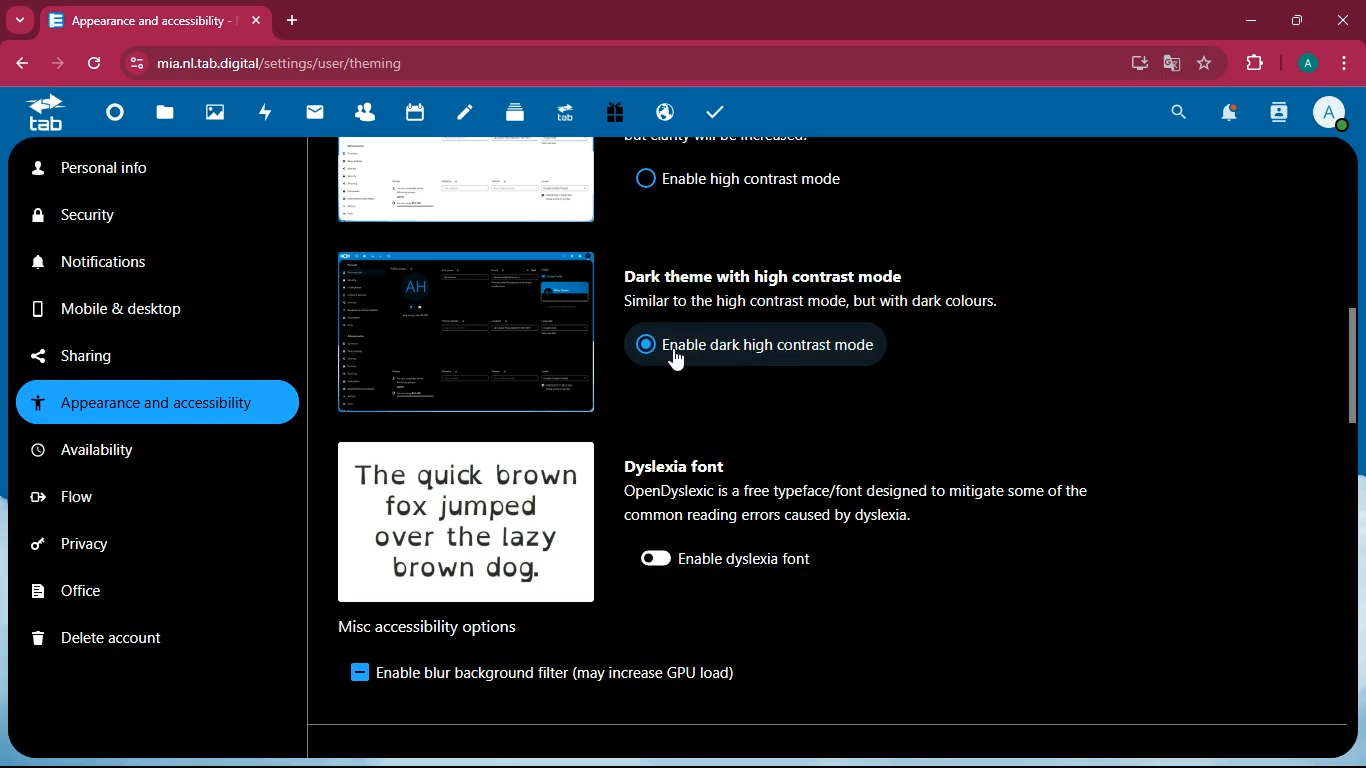 This screenshot has width=1366, height=768. I want to click on appearance, so click(156, 401).